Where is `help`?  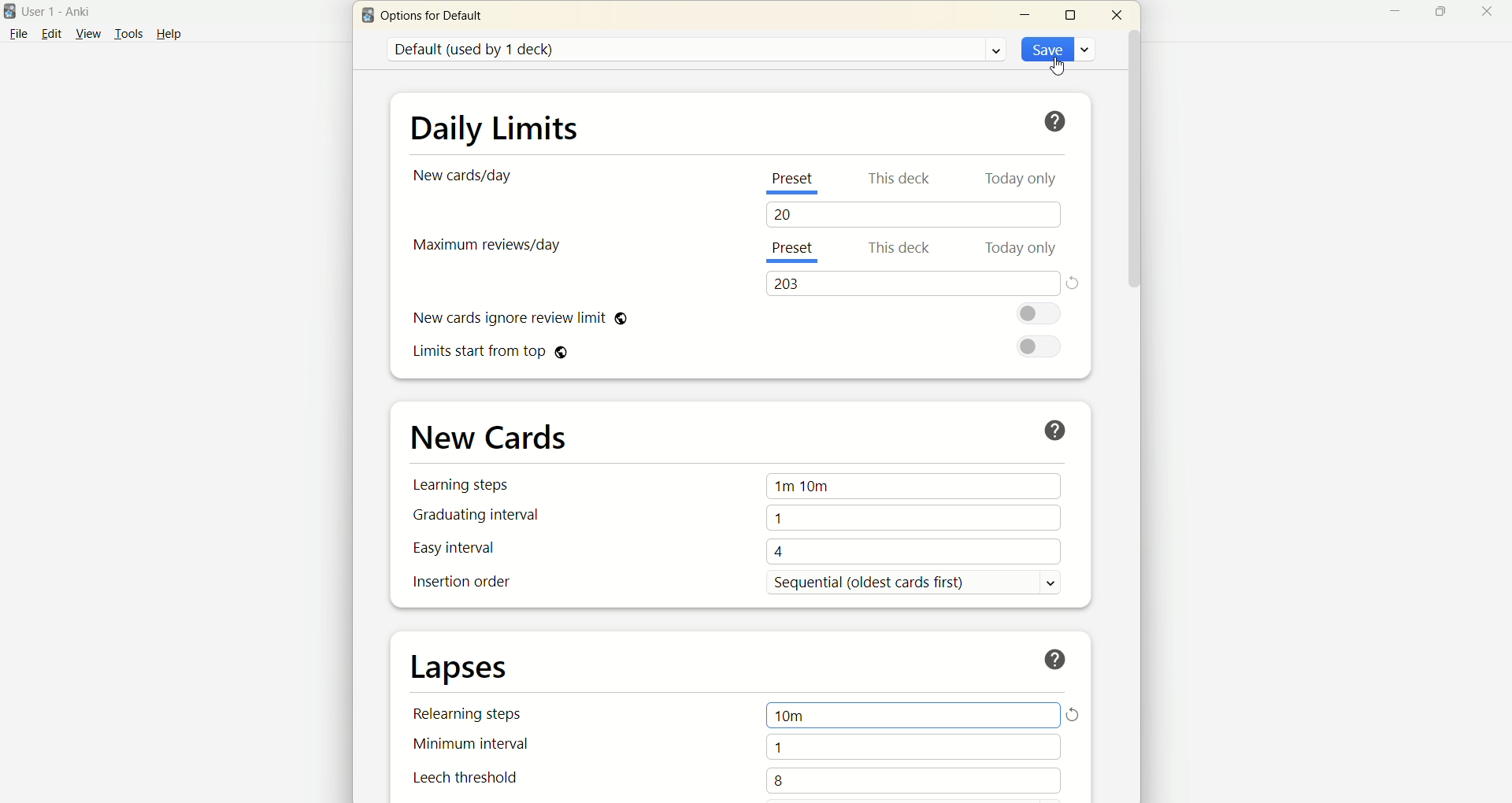 help is located at coordinates (178, 33).